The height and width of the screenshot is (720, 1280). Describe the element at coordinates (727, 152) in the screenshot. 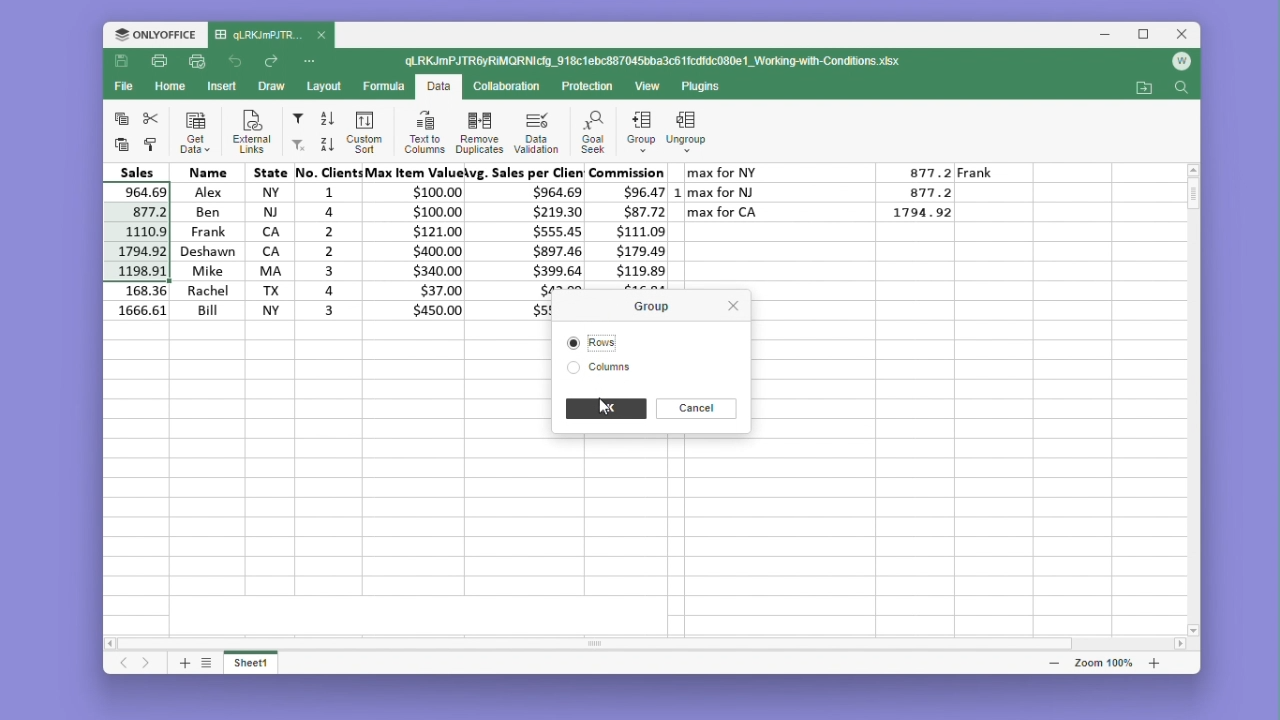

I see `text` at that location.